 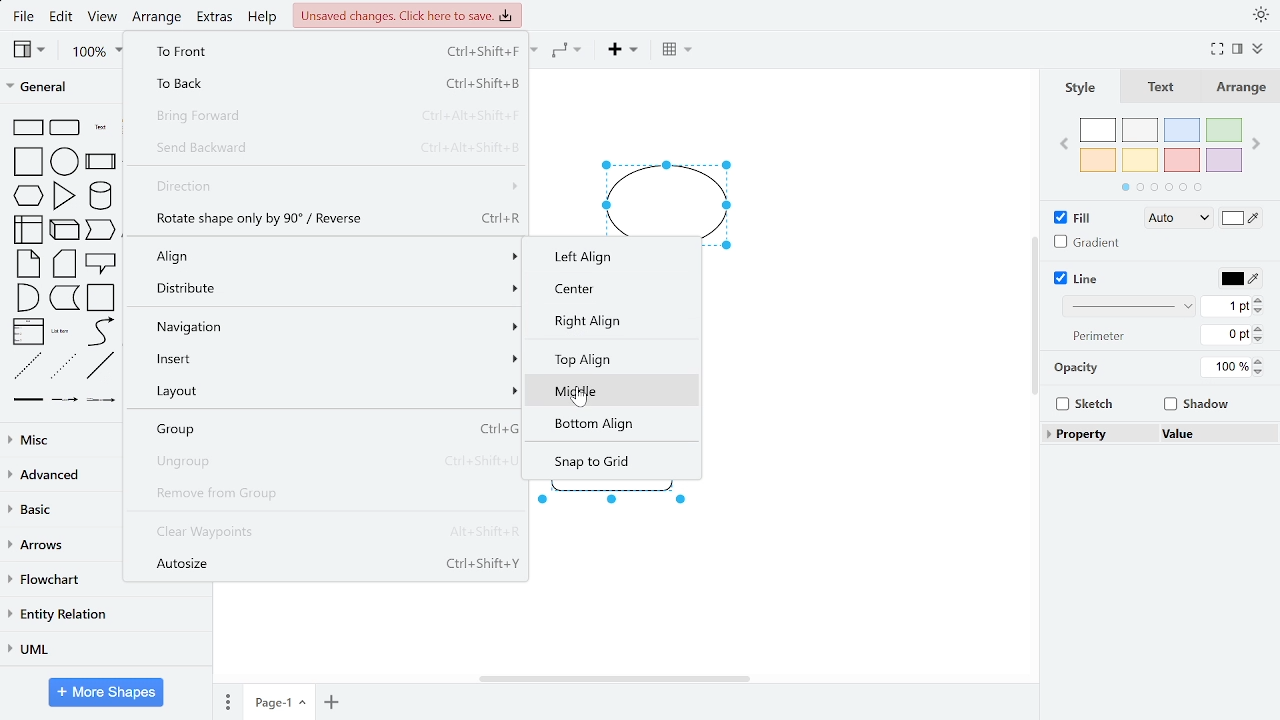 I want to click on arrange, so click(x=159, y=17).